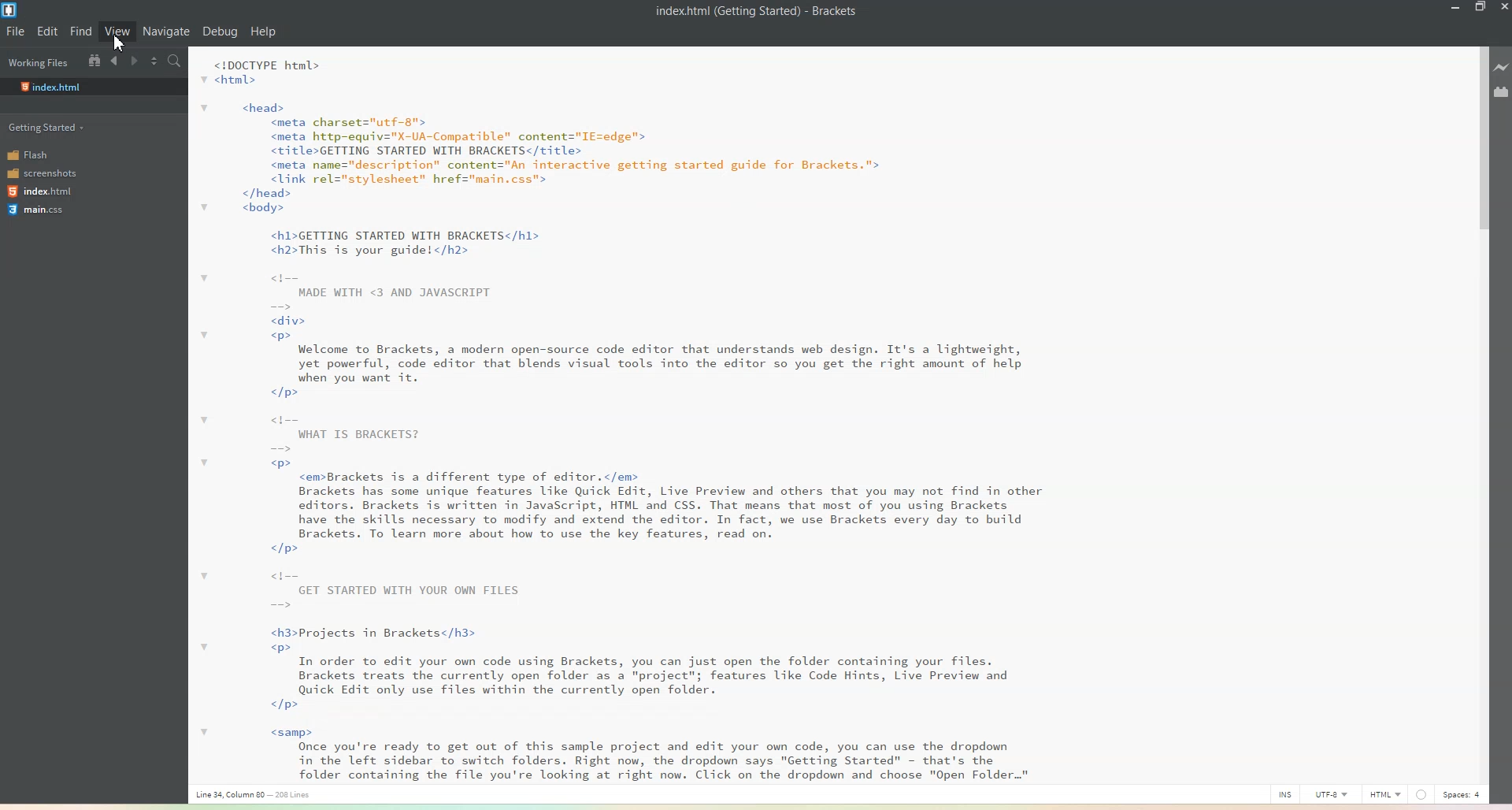 This screenshot has height=810, width=1512. I want to click on Find, so click(81, 32).